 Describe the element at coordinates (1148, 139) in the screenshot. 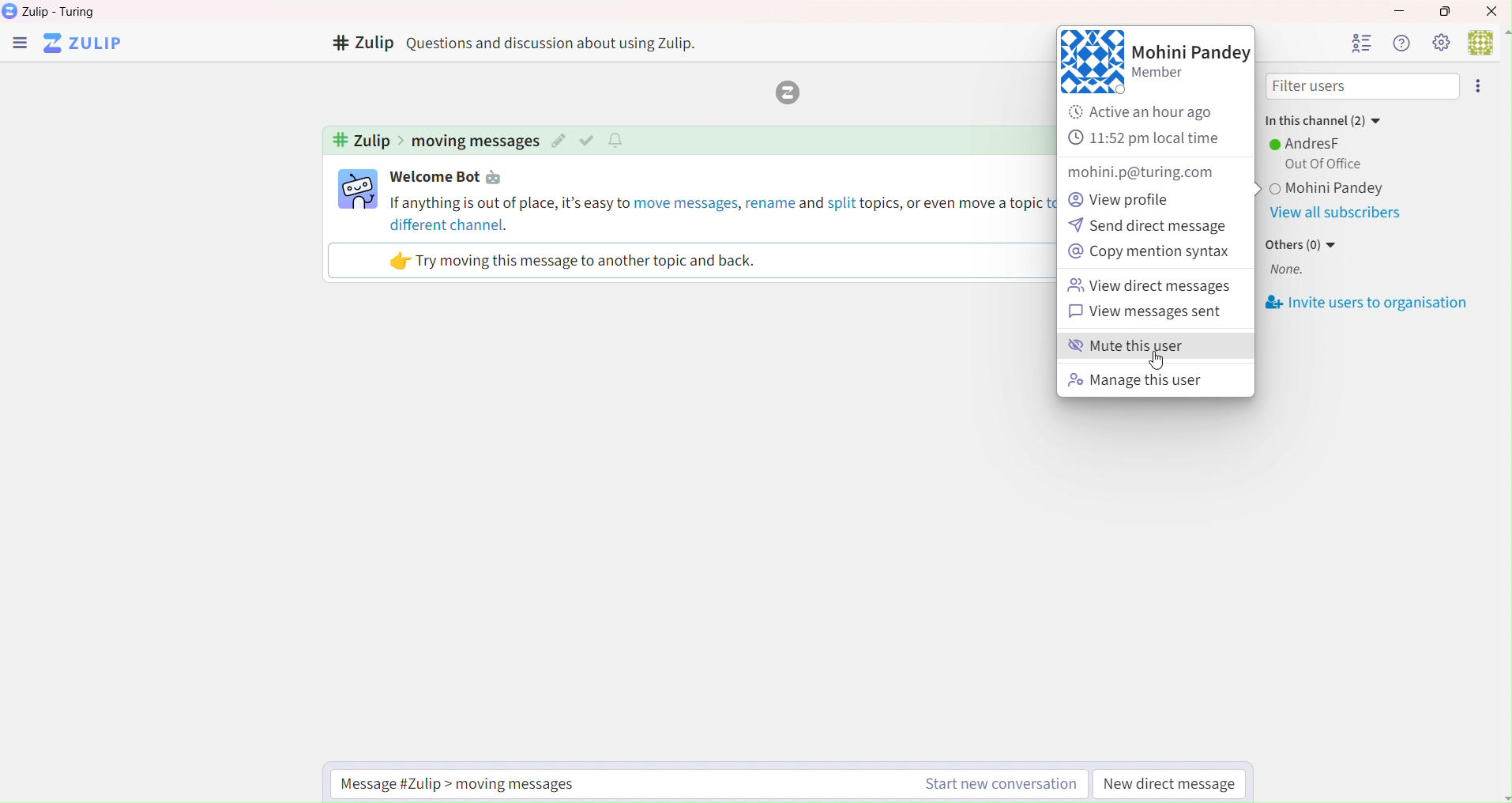

I see `11:52 pm local time` at that location.